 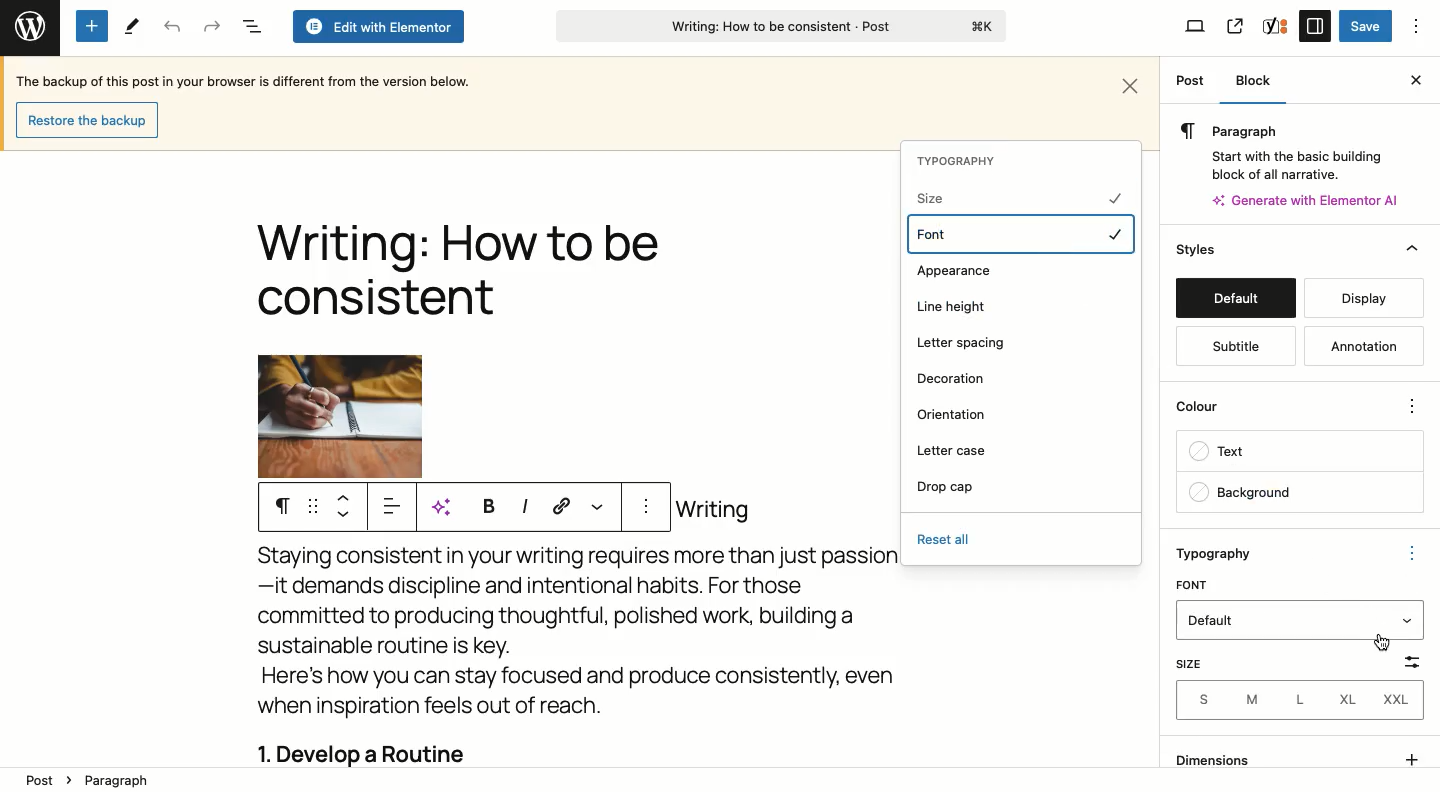 What do you see at coordinates (1296, 757) in the screenshot?
I see `Dimensions` at bounding box center [1296, 757].